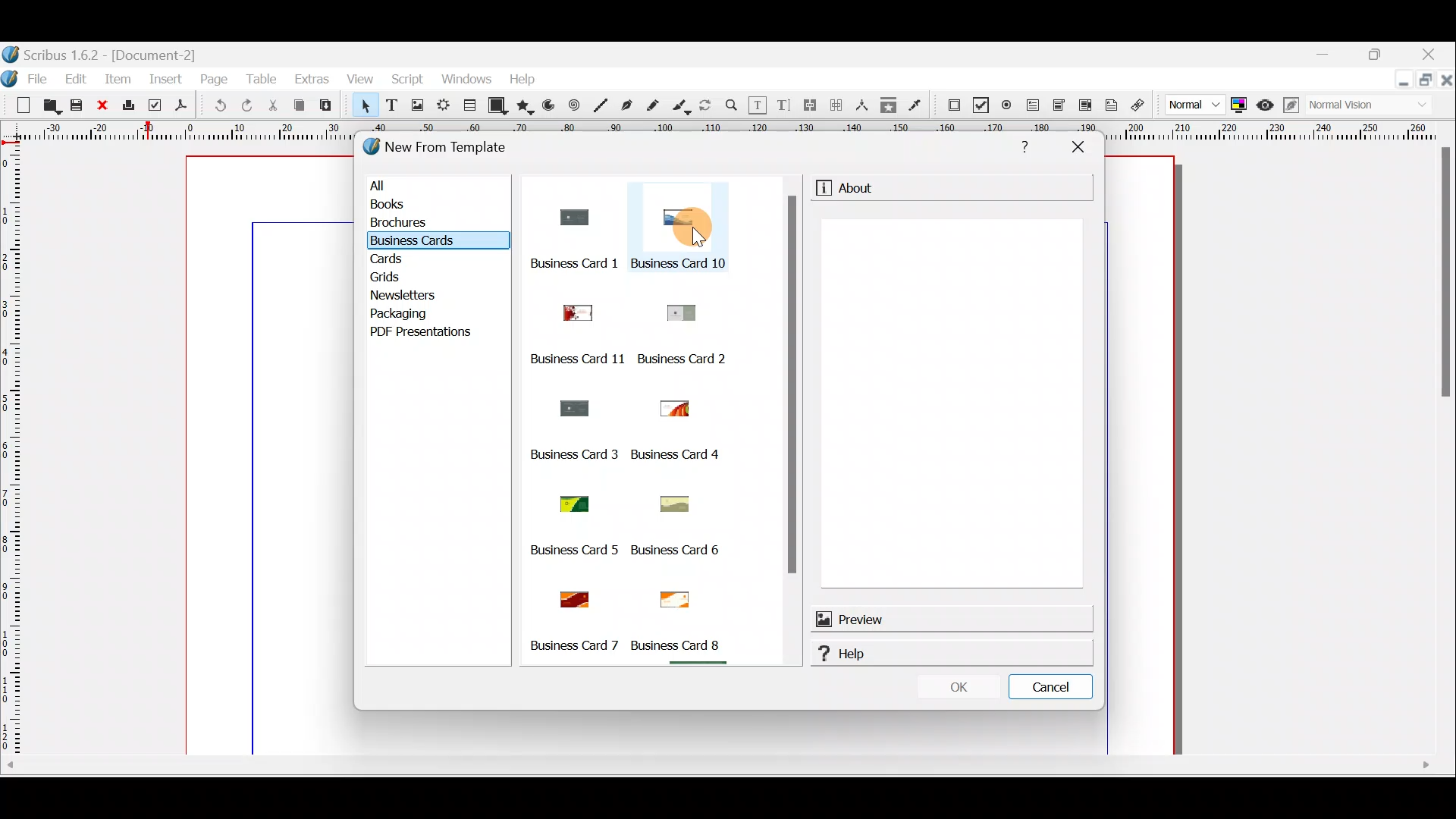 The width and height of the screenshot is (1456, 819). Describe the element at coordinates (402, 262) in the screenshot. I see `Cards` at that location.